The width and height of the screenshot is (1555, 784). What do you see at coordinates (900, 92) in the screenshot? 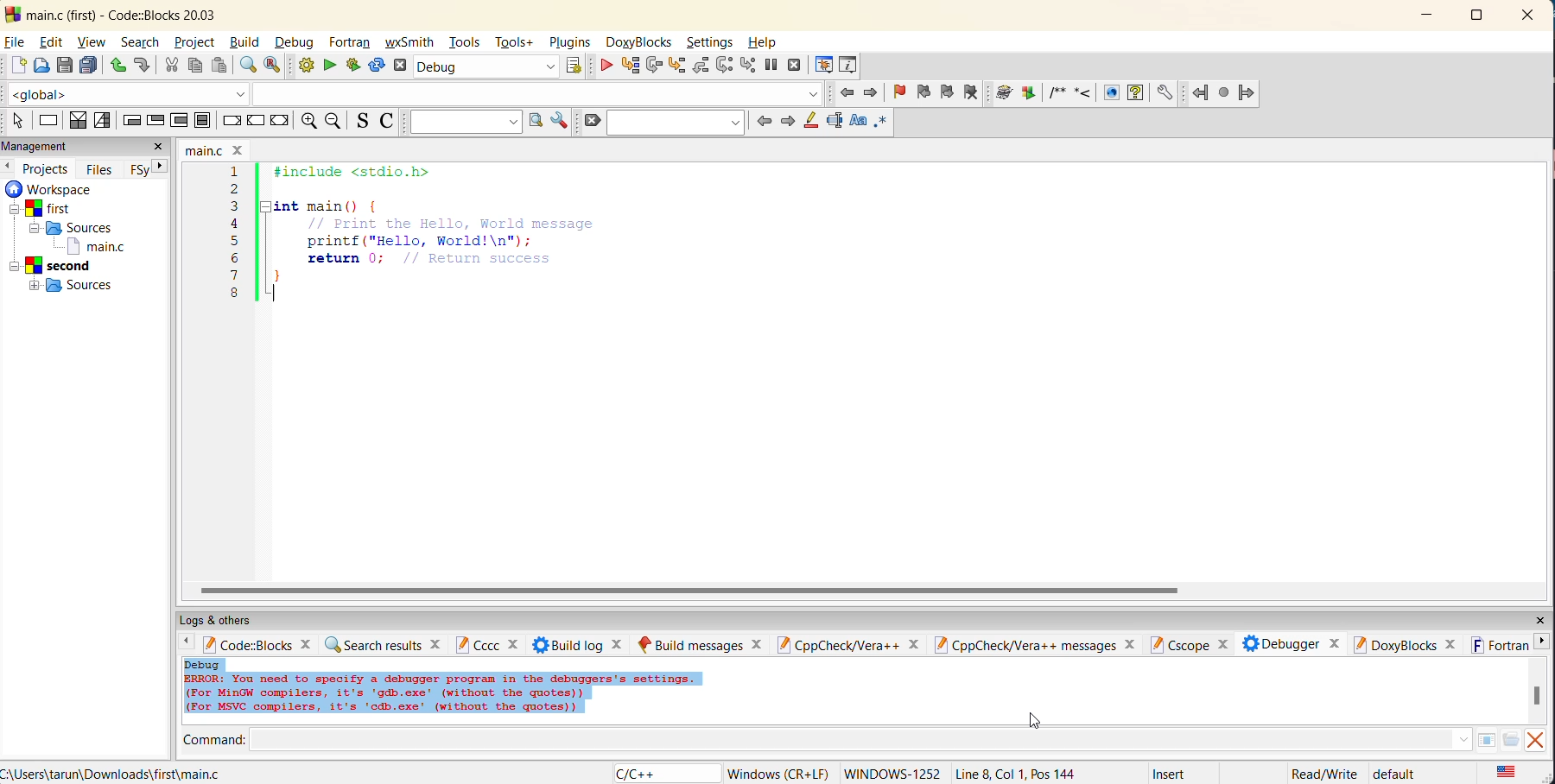
I see `toggle bookmarks` at bounding box center [900, 92].